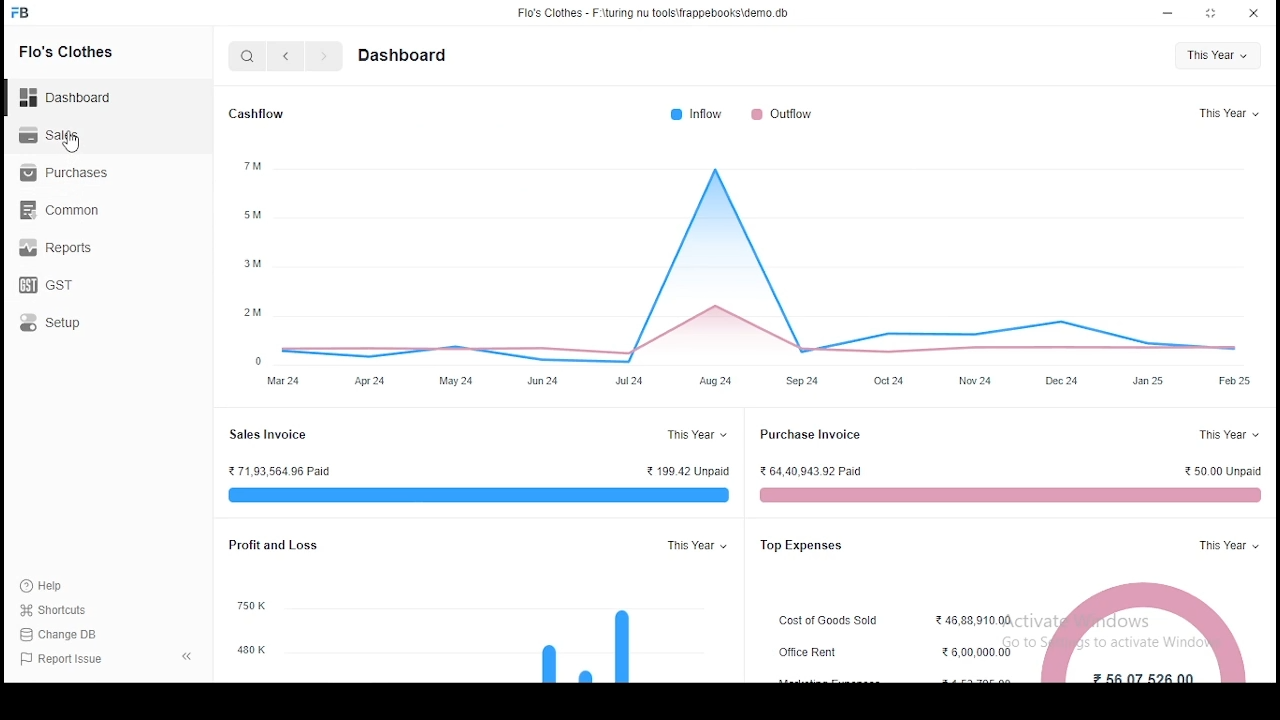 The height and width of the screenshot is (720, 1280). I want to click on setup, so click(56, 323).